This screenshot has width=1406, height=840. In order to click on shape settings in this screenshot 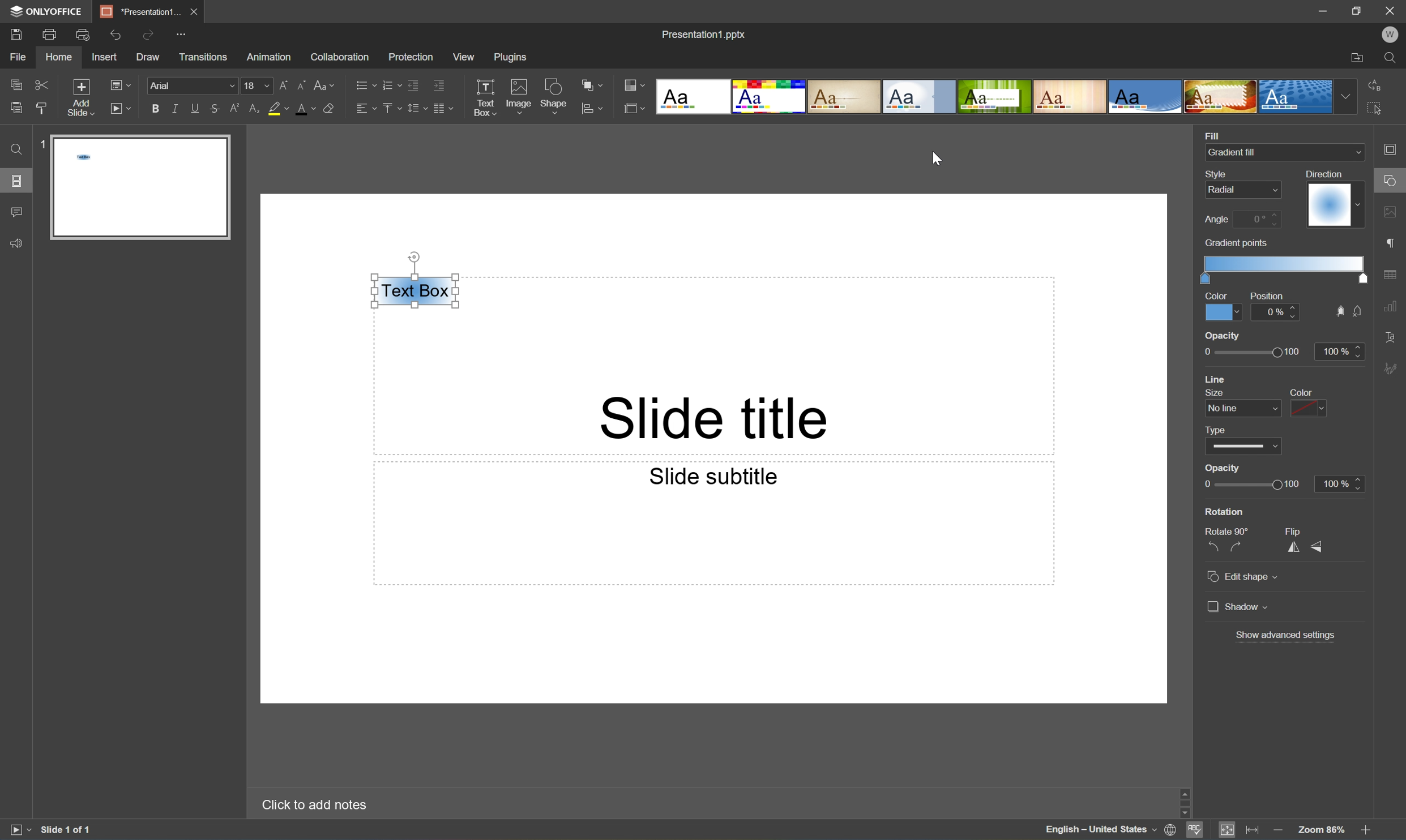, I will do `click(1391, 179)`.